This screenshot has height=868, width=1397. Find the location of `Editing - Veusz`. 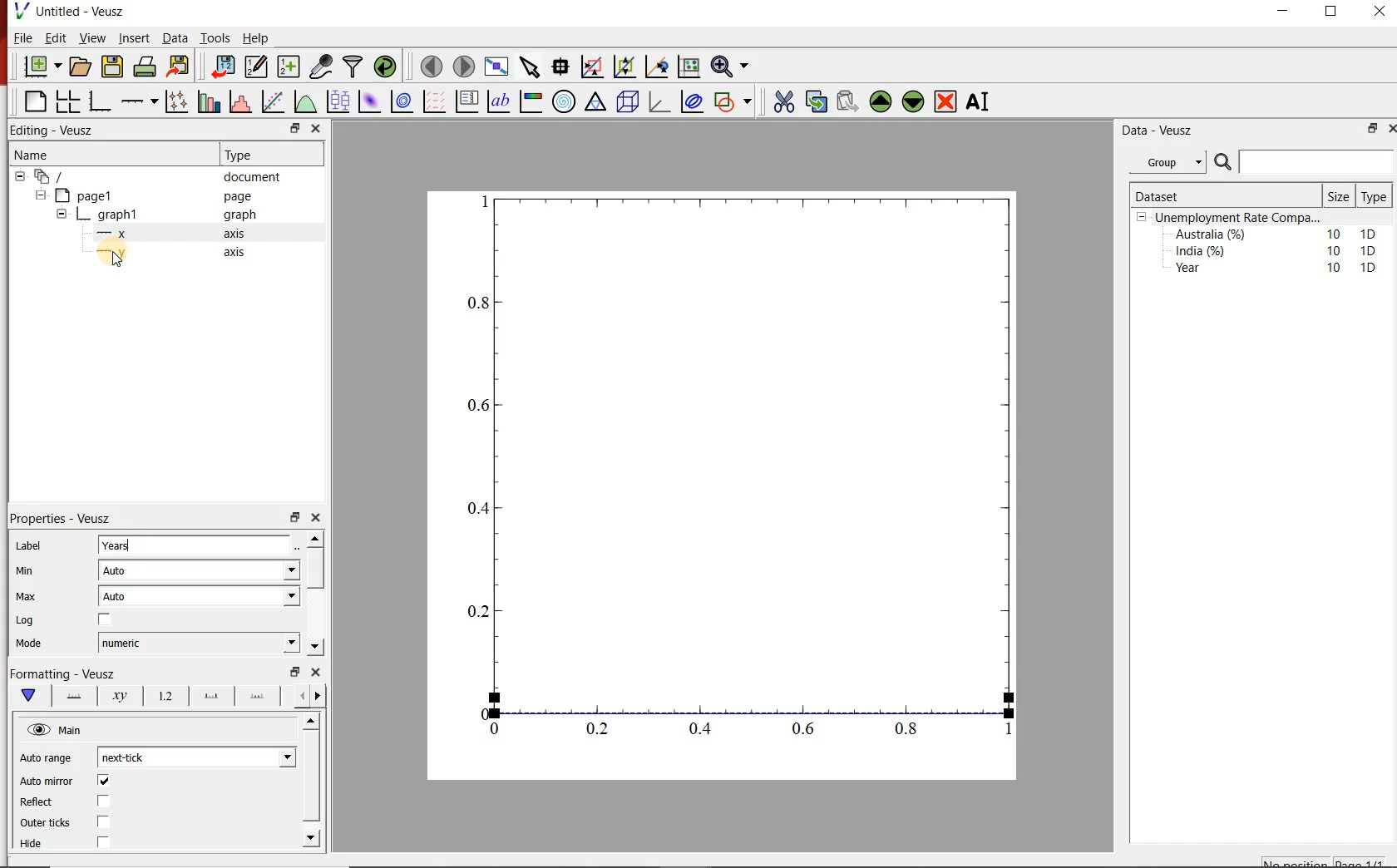

Editing - Veusz is located at coordinates (55, 129).